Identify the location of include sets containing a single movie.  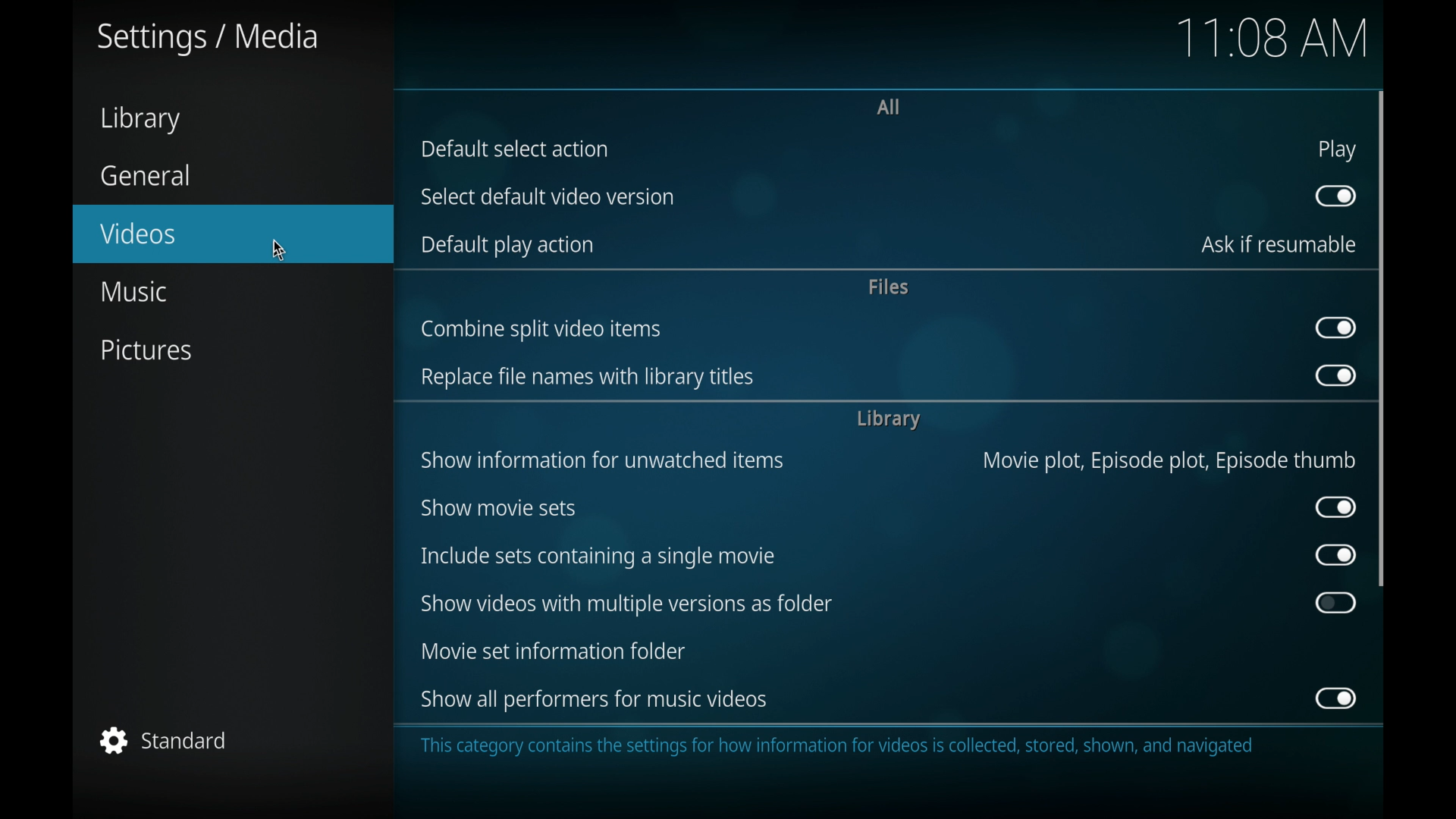
(596, 557).